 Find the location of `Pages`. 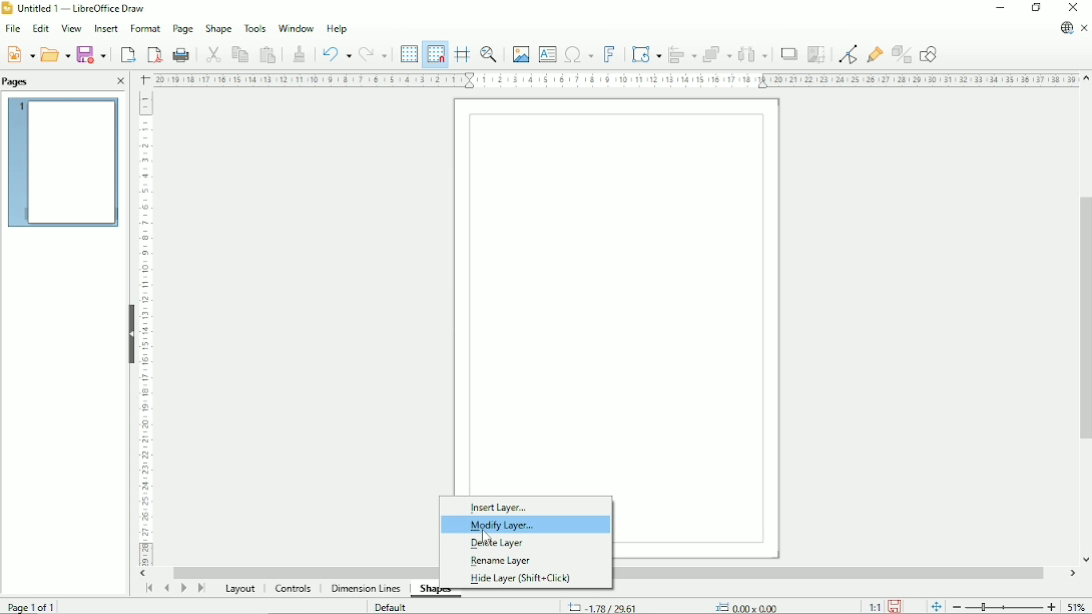

Pages is located at coordinates (19, 82).